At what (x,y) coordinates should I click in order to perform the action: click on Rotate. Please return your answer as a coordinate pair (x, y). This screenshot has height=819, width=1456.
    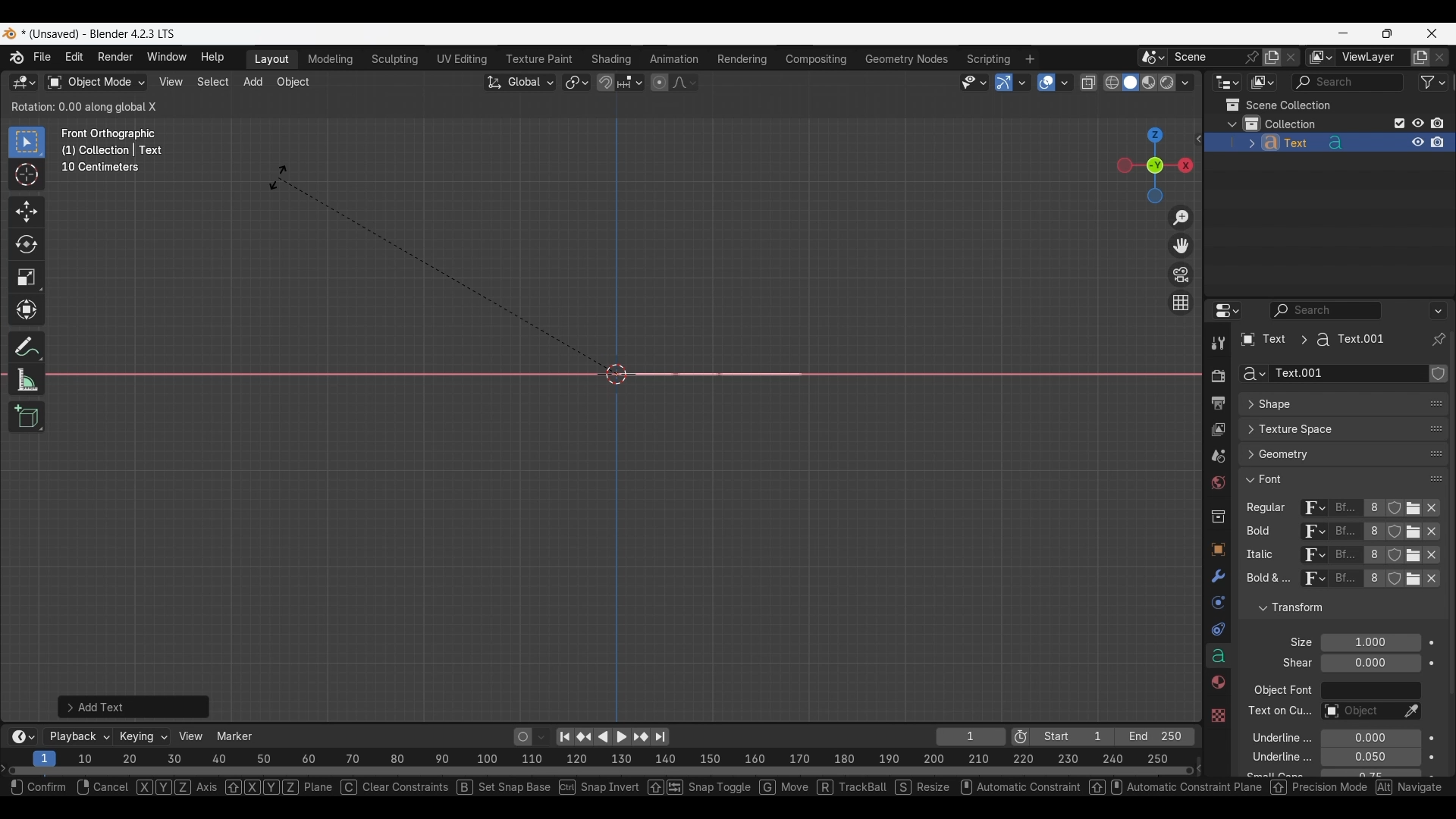
    Looking at the image, I should click on (27, 244).